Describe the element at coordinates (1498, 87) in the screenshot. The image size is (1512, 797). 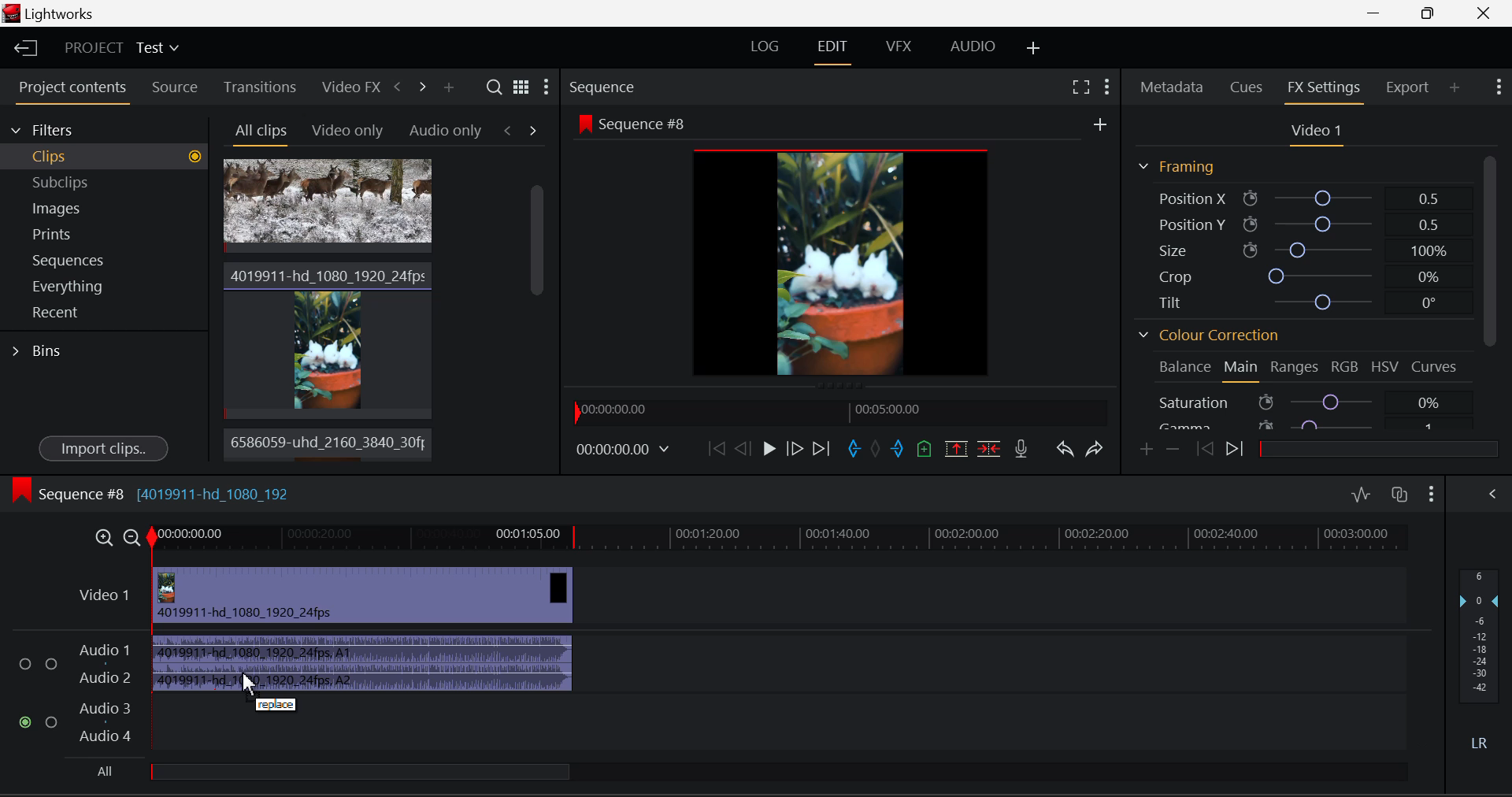
I see `Show Settings` at that location.